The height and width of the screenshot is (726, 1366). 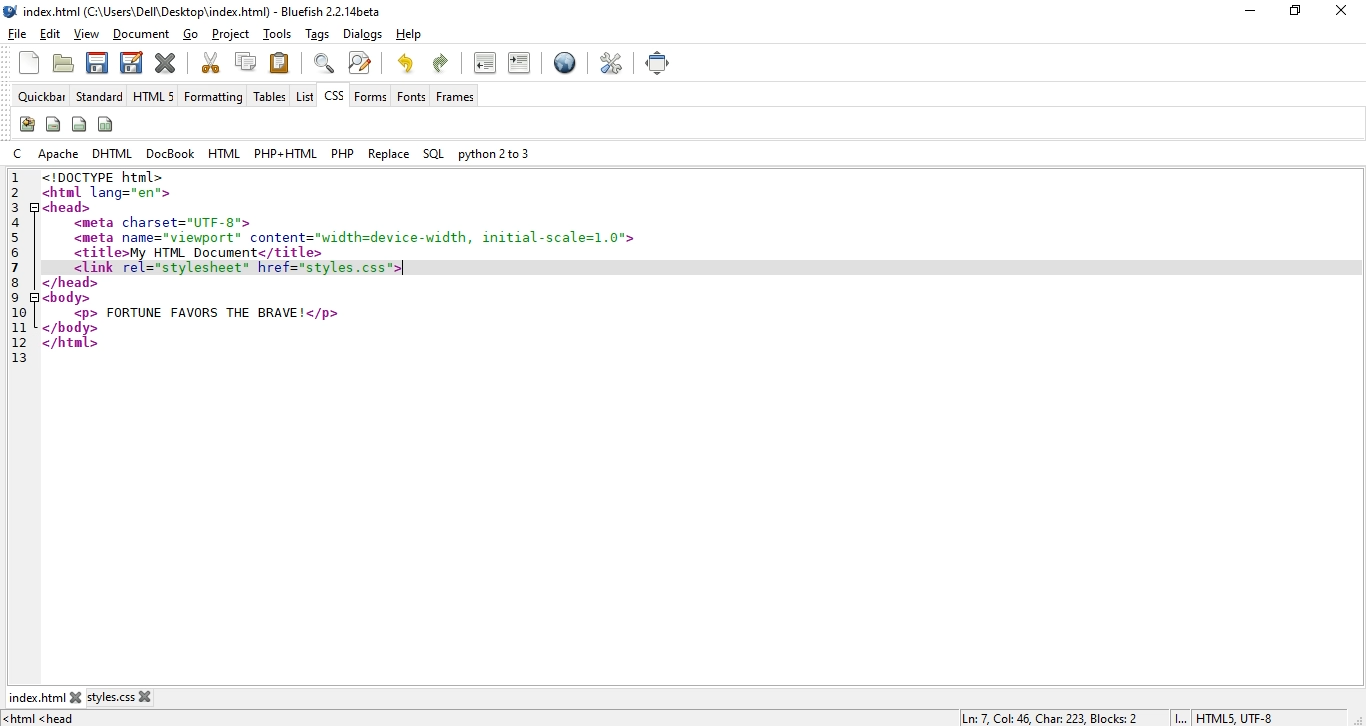 What do you see at coordinates (405, 62) in the screenshot?
I see `redo` at bounding box center [405, 62].